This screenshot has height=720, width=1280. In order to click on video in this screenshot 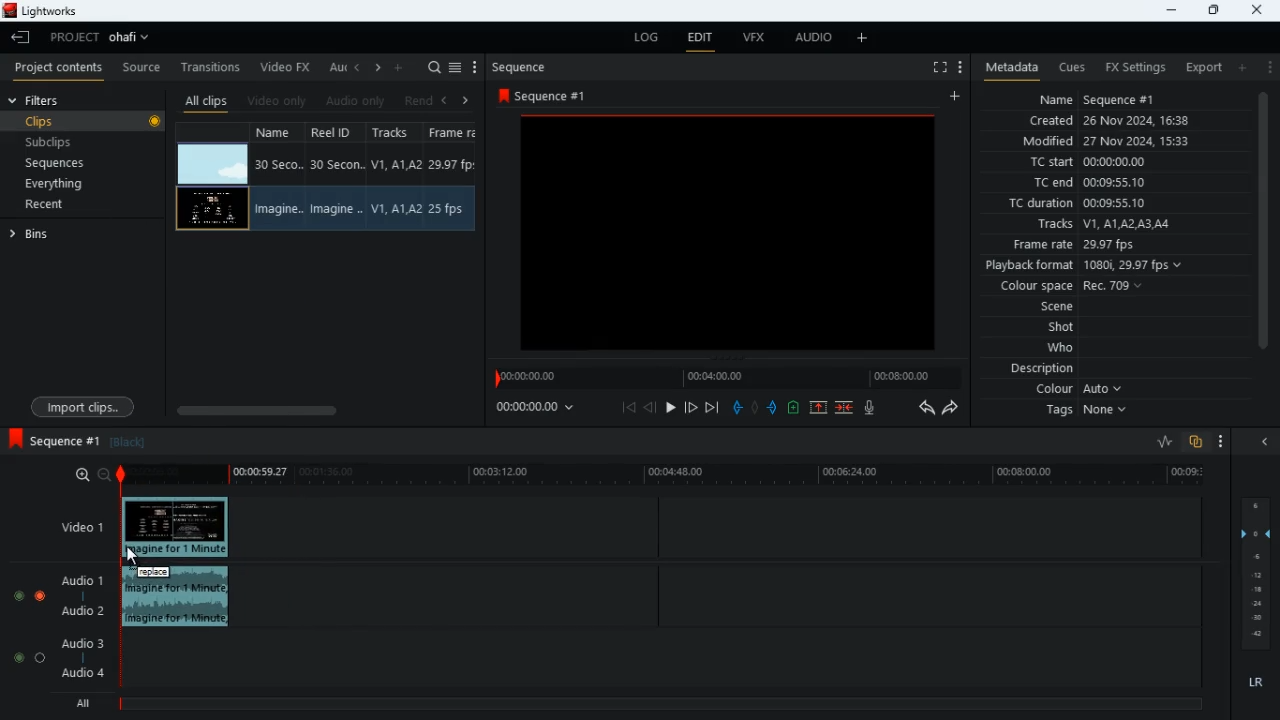, I will do `click(212, 208)`.